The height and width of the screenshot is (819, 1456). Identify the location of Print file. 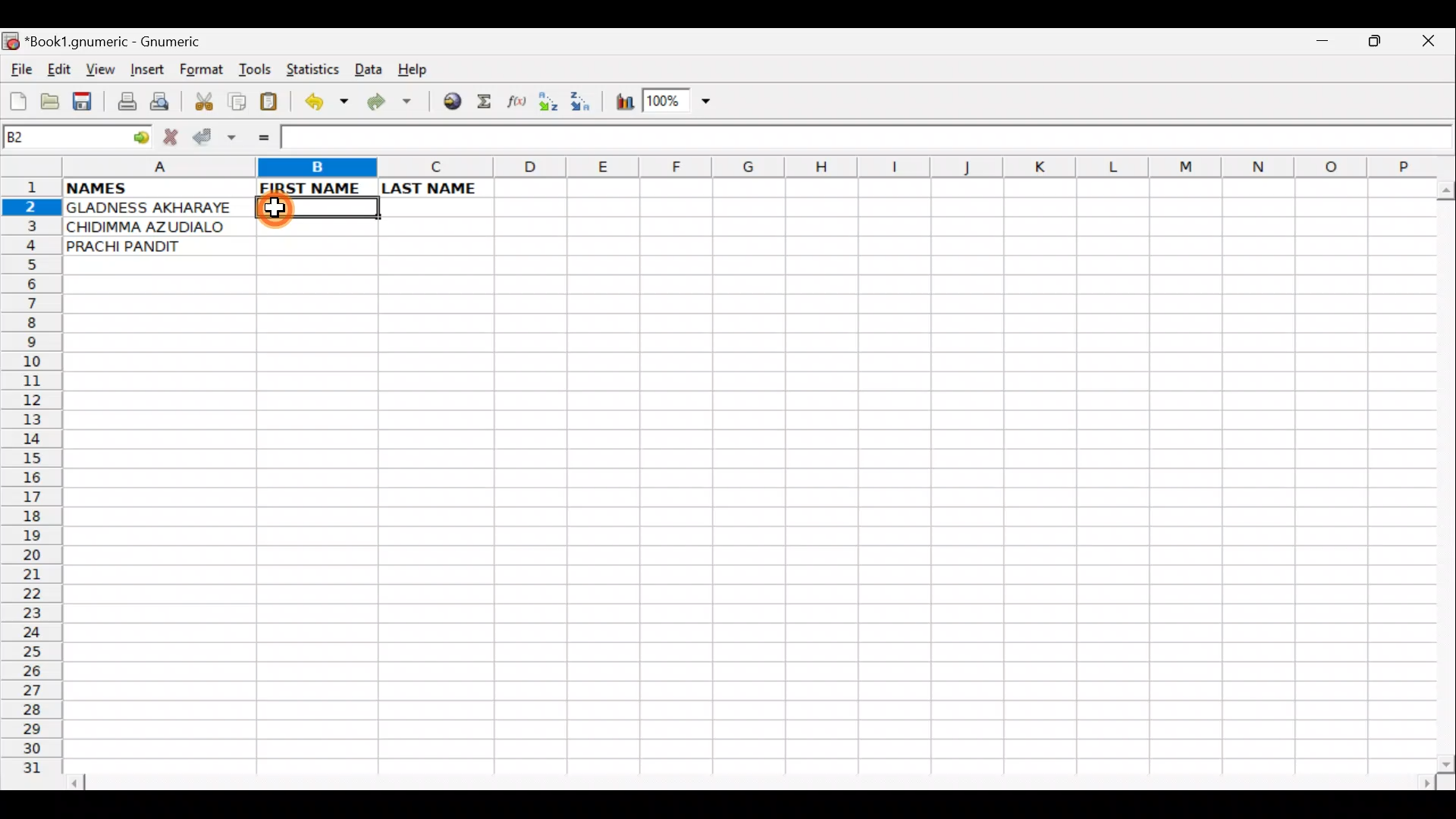
(123, 103).